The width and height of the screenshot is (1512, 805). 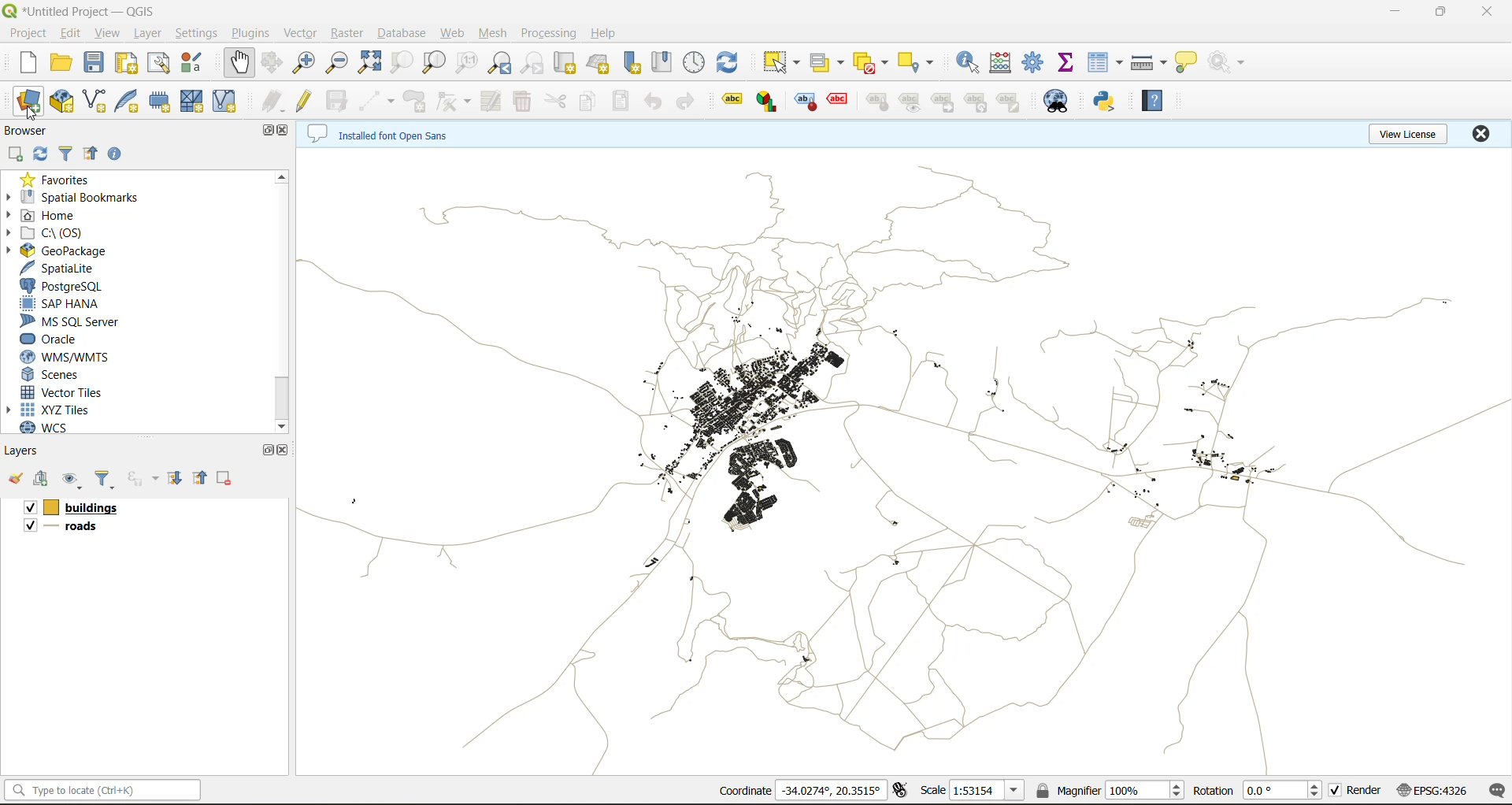 What do you see at coordinates (37, 156) in the screenshot?
I see `refresh` at bounding box center [37, 156].